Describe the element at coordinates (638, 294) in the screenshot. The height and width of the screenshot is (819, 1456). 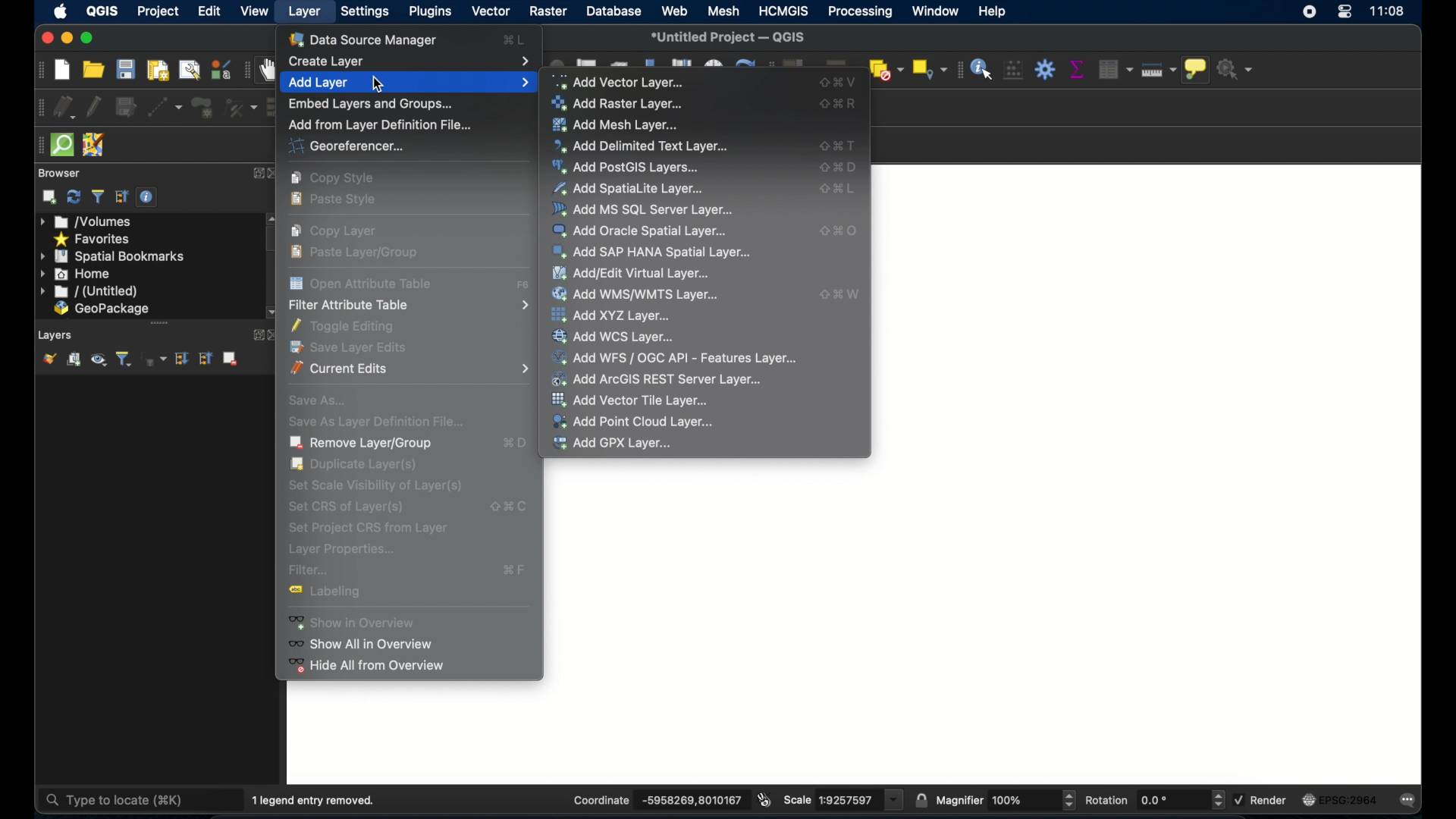
I see `add wms/wmts layer` at that location.